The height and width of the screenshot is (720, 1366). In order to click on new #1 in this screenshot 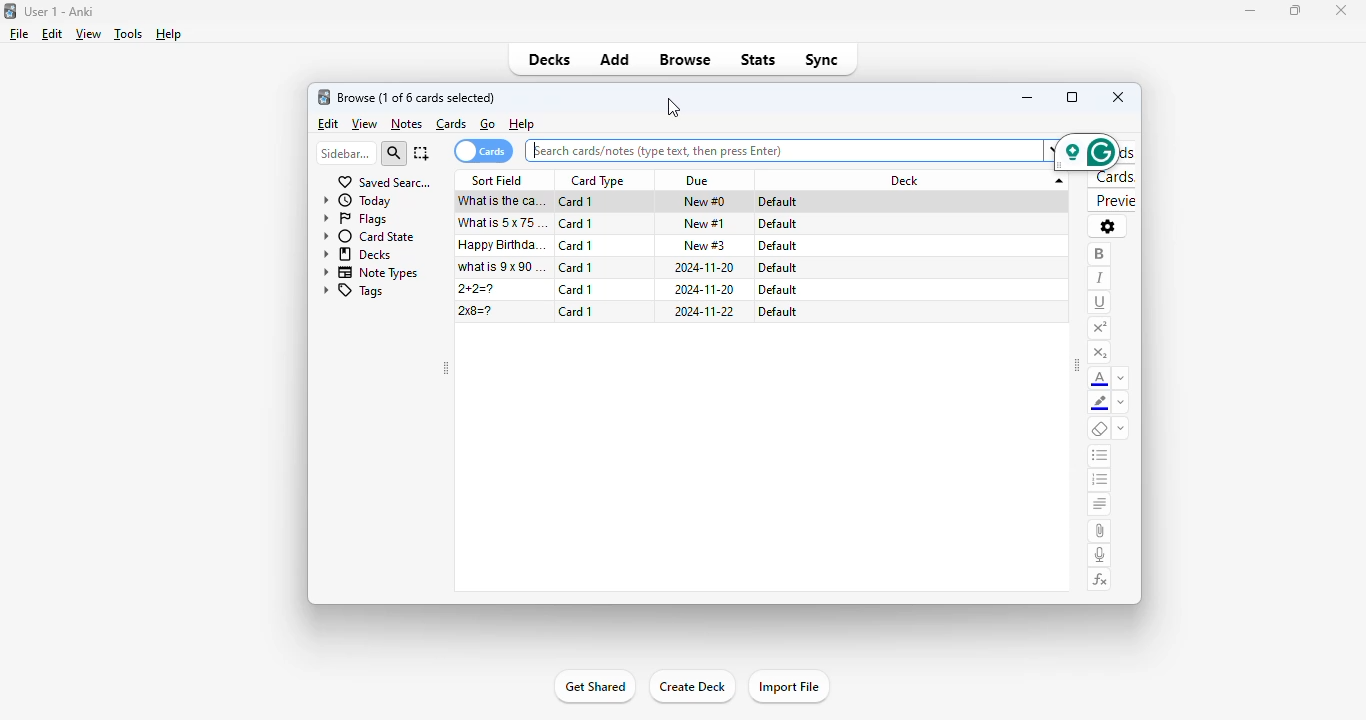, I will do `click(705, 224)`.